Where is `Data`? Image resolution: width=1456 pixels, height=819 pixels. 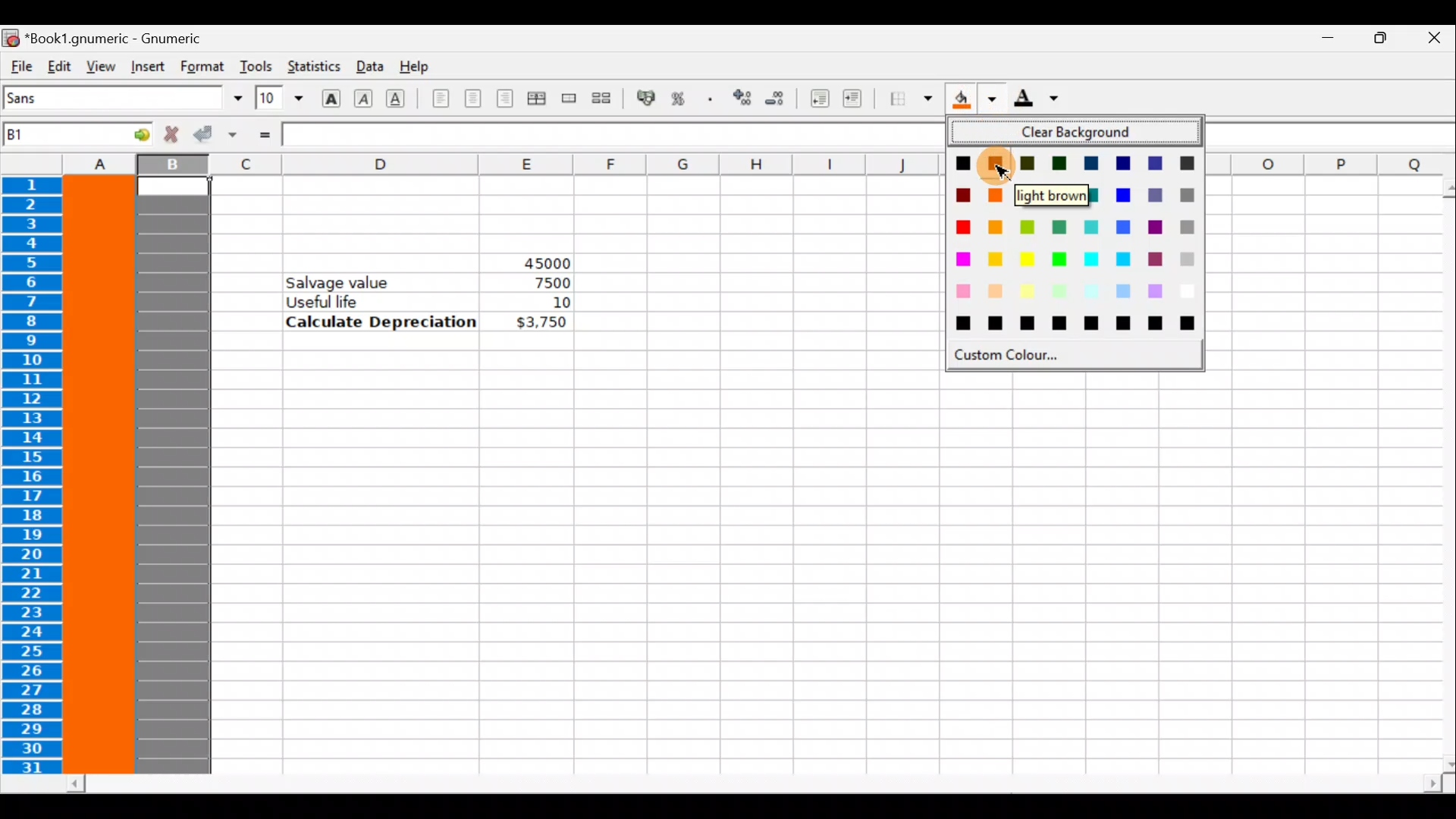
Data is located at coordinates (368, 65).